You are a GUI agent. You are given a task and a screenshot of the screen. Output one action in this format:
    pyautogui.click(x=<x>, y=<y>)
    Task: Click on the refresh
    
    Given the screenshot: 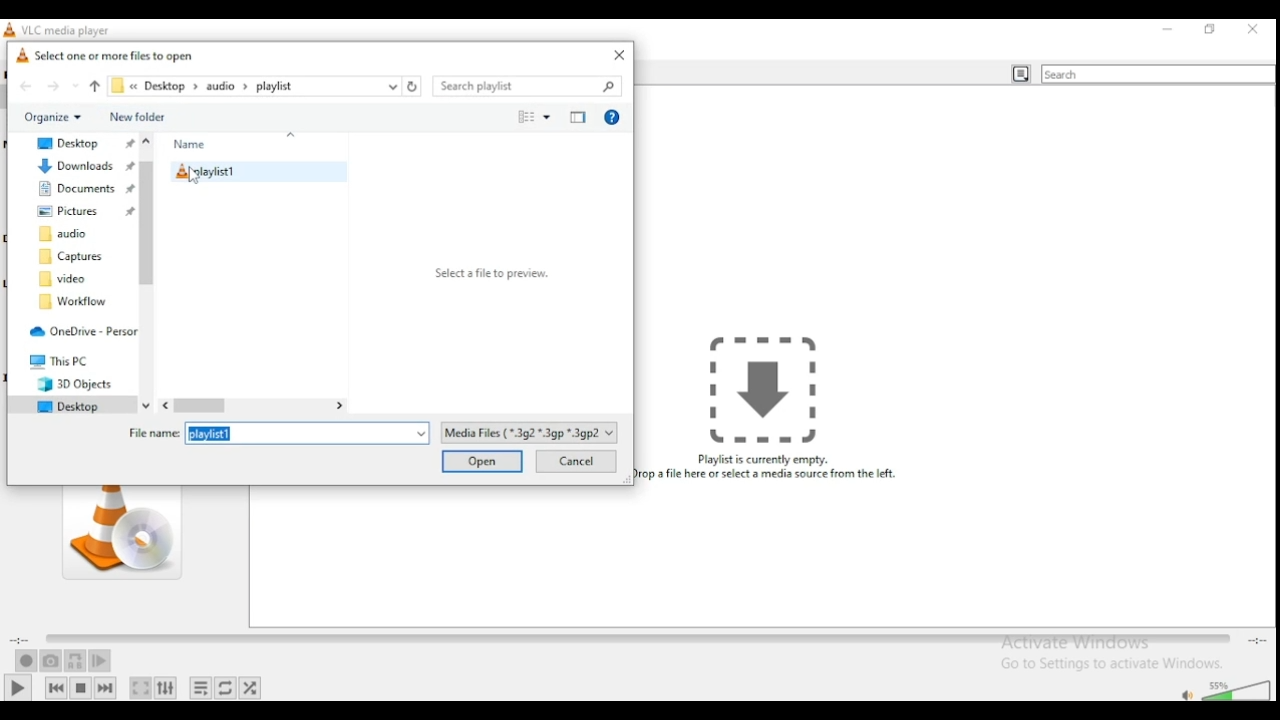 What is the action you would take?
    pyautogui.click(x=414, y=86)
    